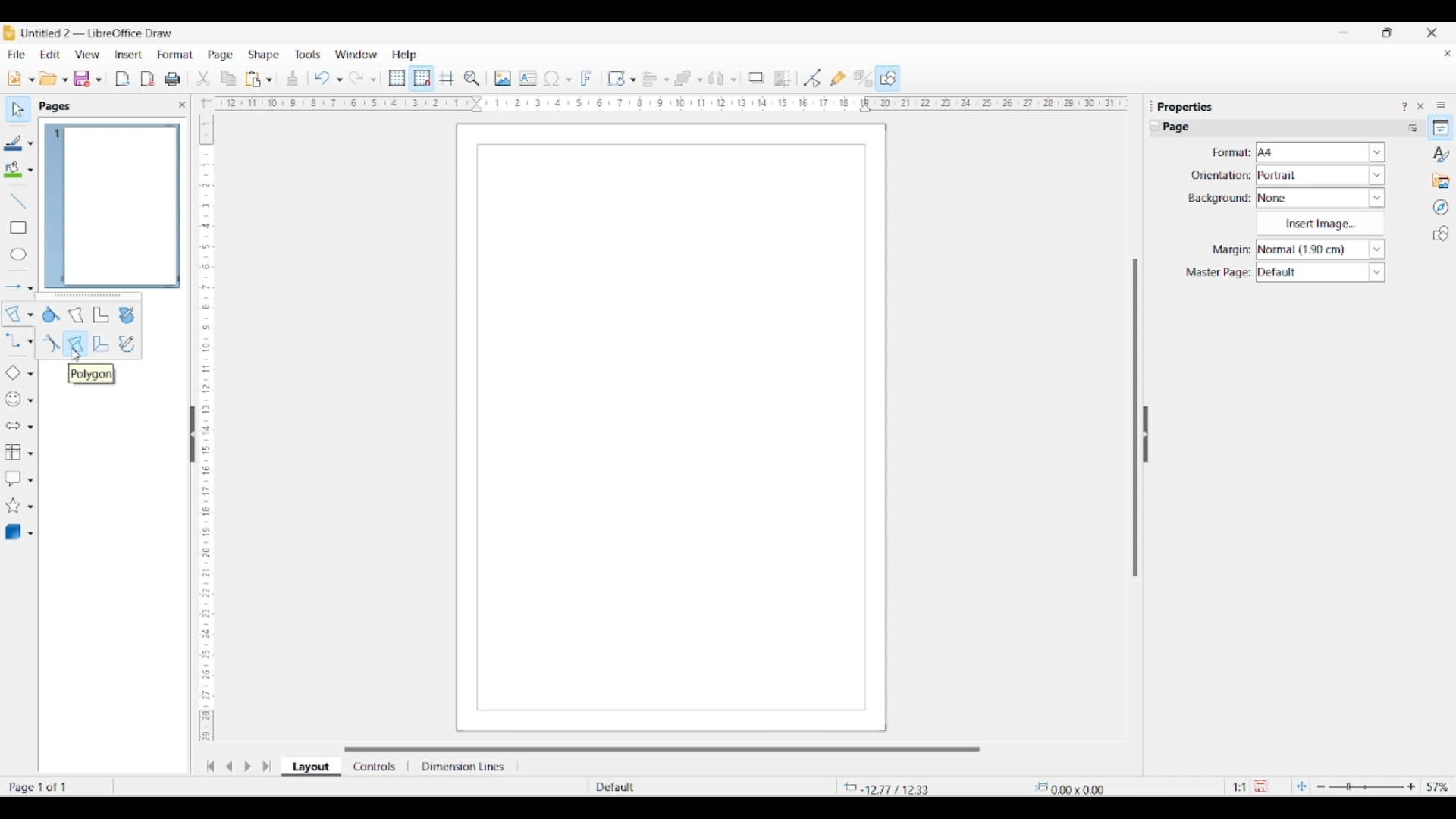 This screenshot has width=1456, height=819. Describe the element at coordinates (99, 80) in the screenshot. I see `Save options` at that location.